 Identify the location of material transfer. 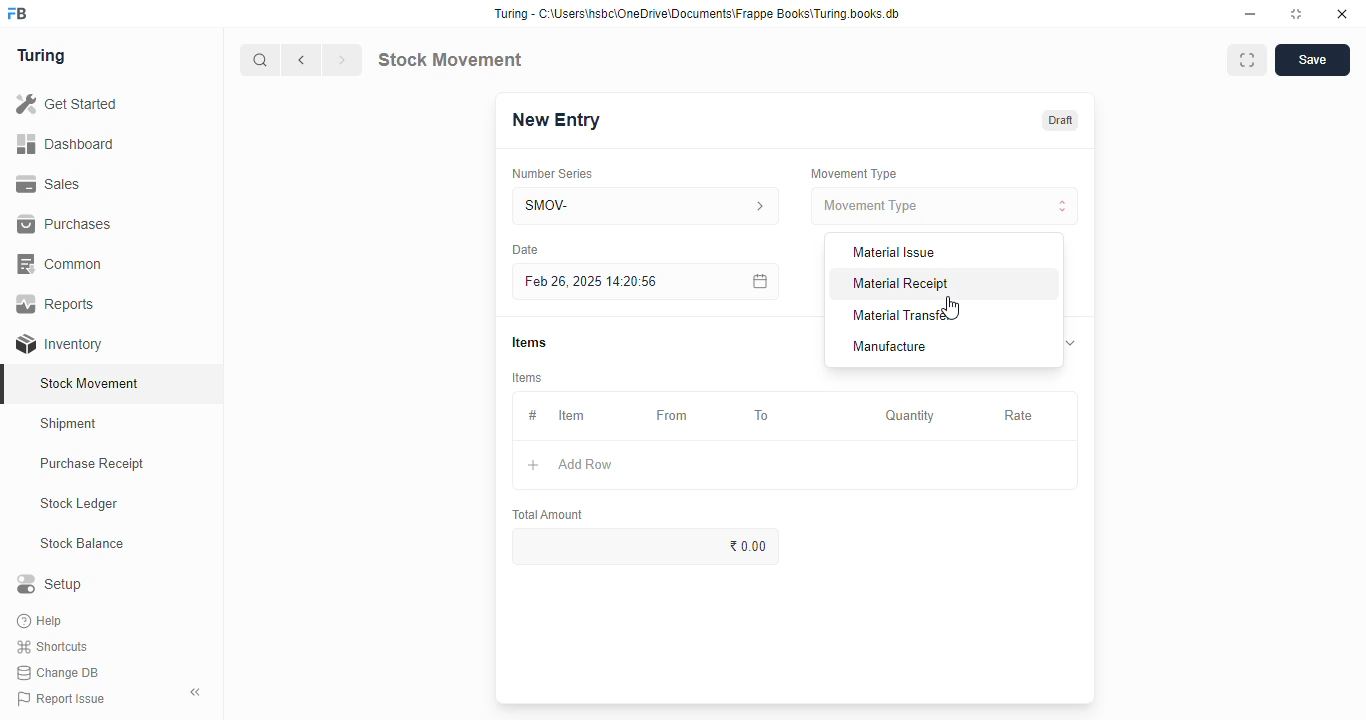
(902, 316).